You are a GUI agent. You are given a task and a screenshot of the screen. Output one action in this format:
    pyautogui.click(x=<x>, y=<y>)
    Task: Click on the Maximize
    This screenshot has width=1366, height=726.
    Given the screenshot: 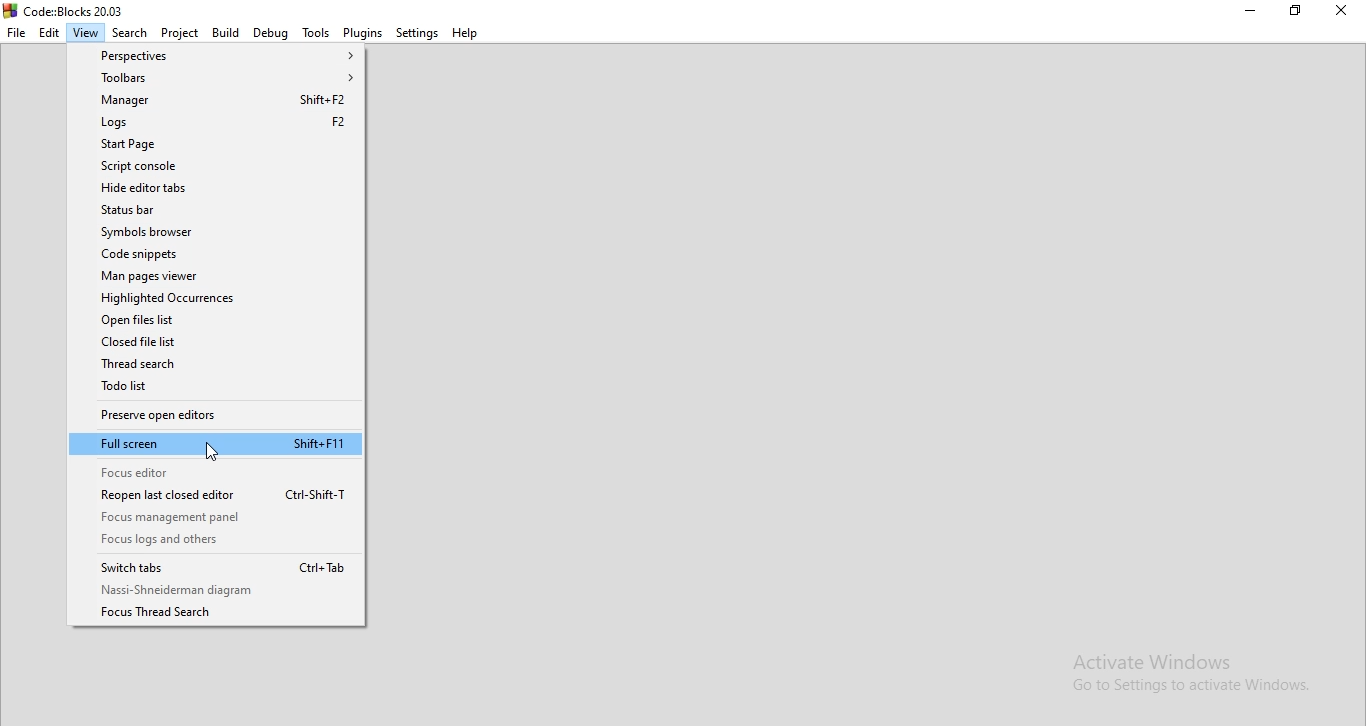 What is the action you would take?
    pyautogui.click(x=1295, y=13)
    